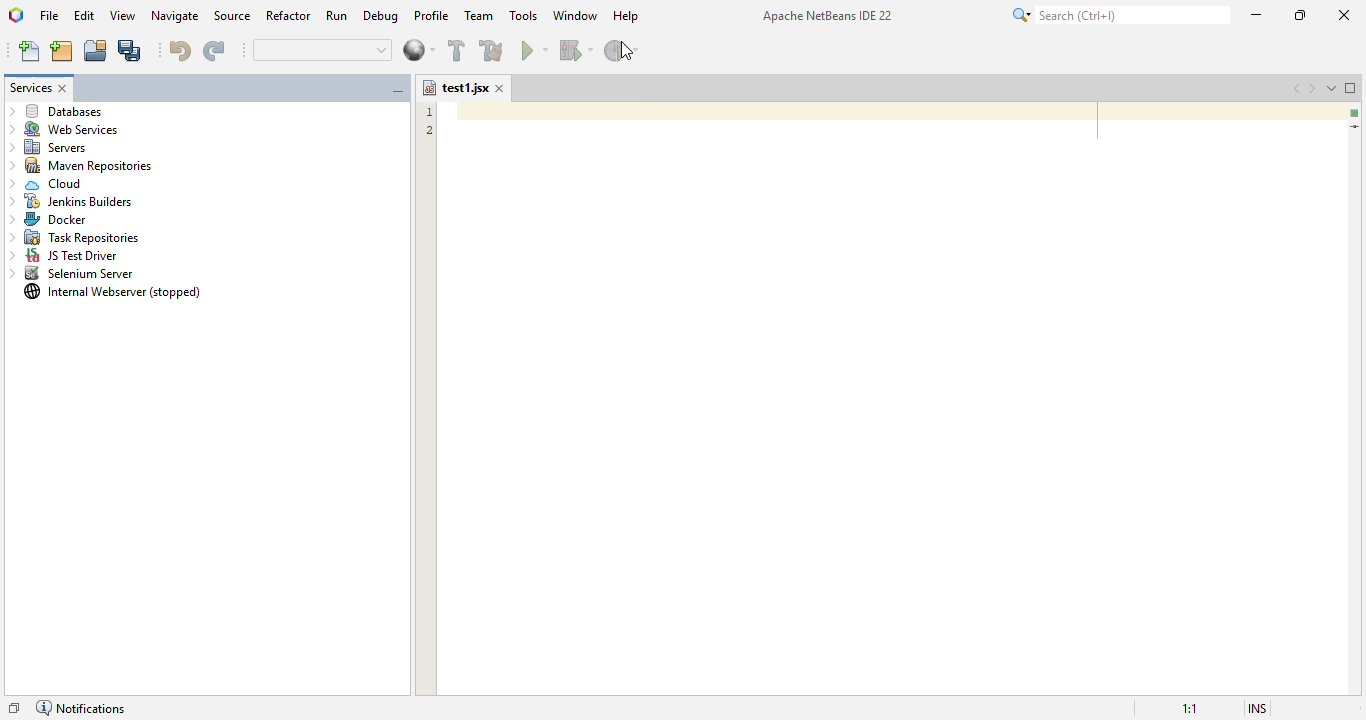 The width and height of the screenshot is (1366, 720). I want to click on cloud, so click(46, 183).